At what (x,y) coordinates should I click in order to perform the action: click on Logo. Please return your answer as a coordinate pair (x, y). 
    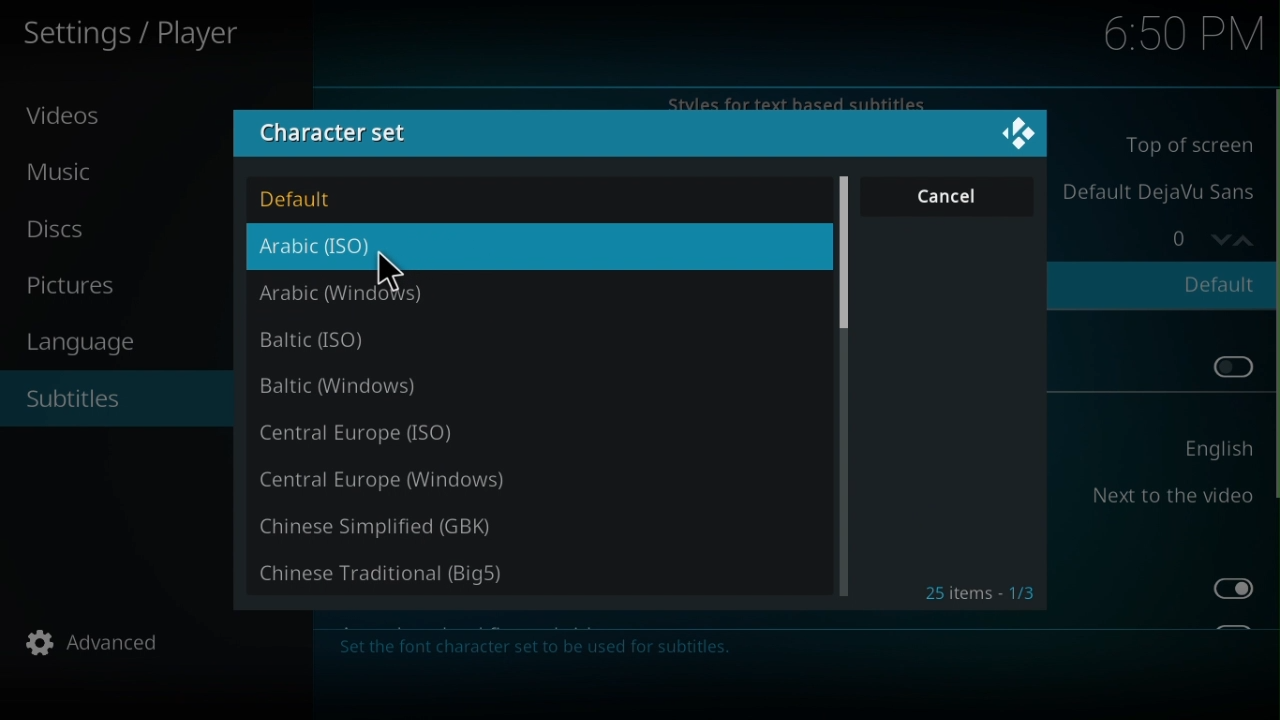
    Looking at the image, I should click on (1017, 134).